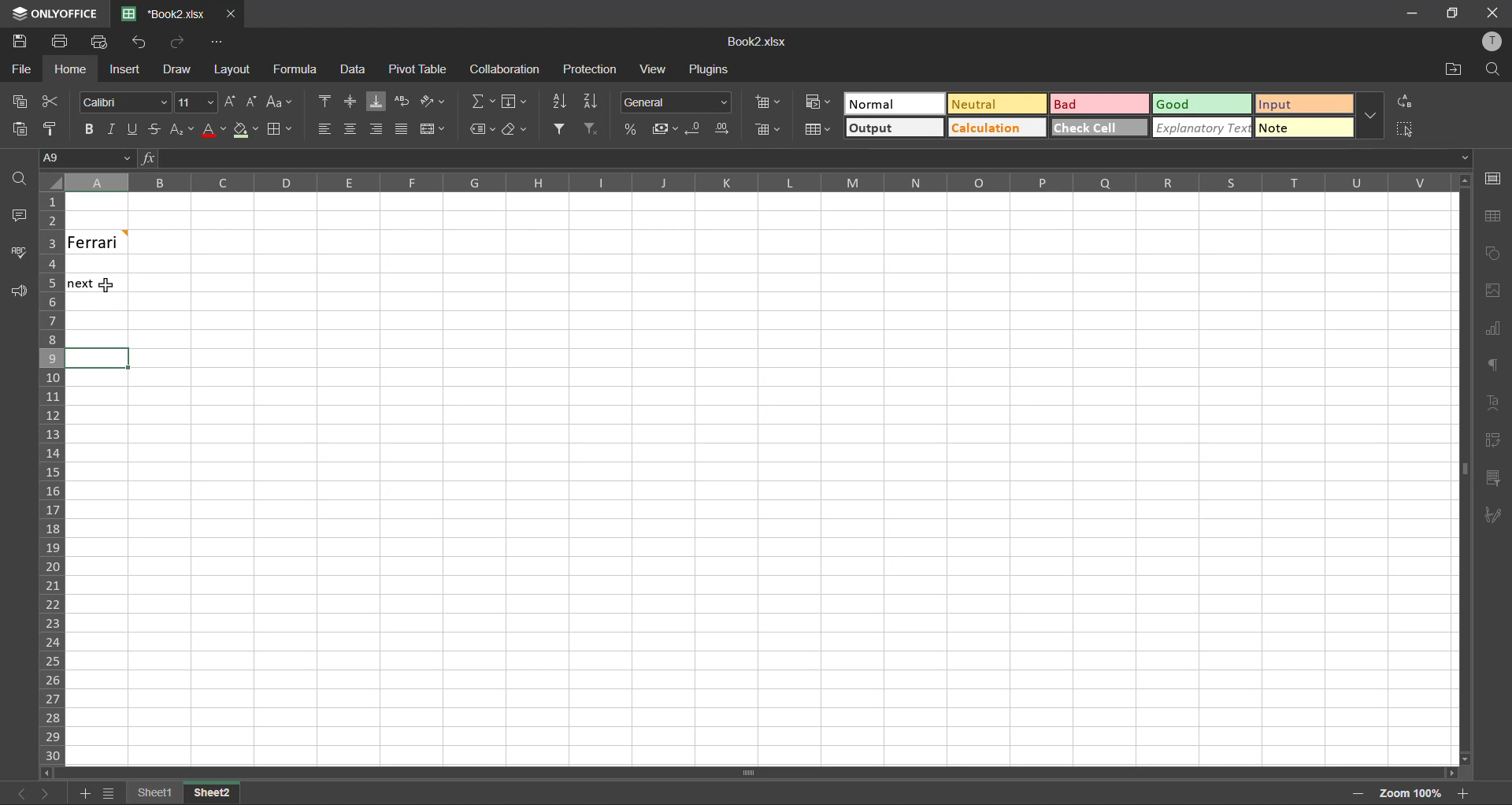 This screenshot has width=1512, height=805. What do you see at coordinates (1086, 105) in the screenshot?
I see `bad` at bounding box center [1086, 105].